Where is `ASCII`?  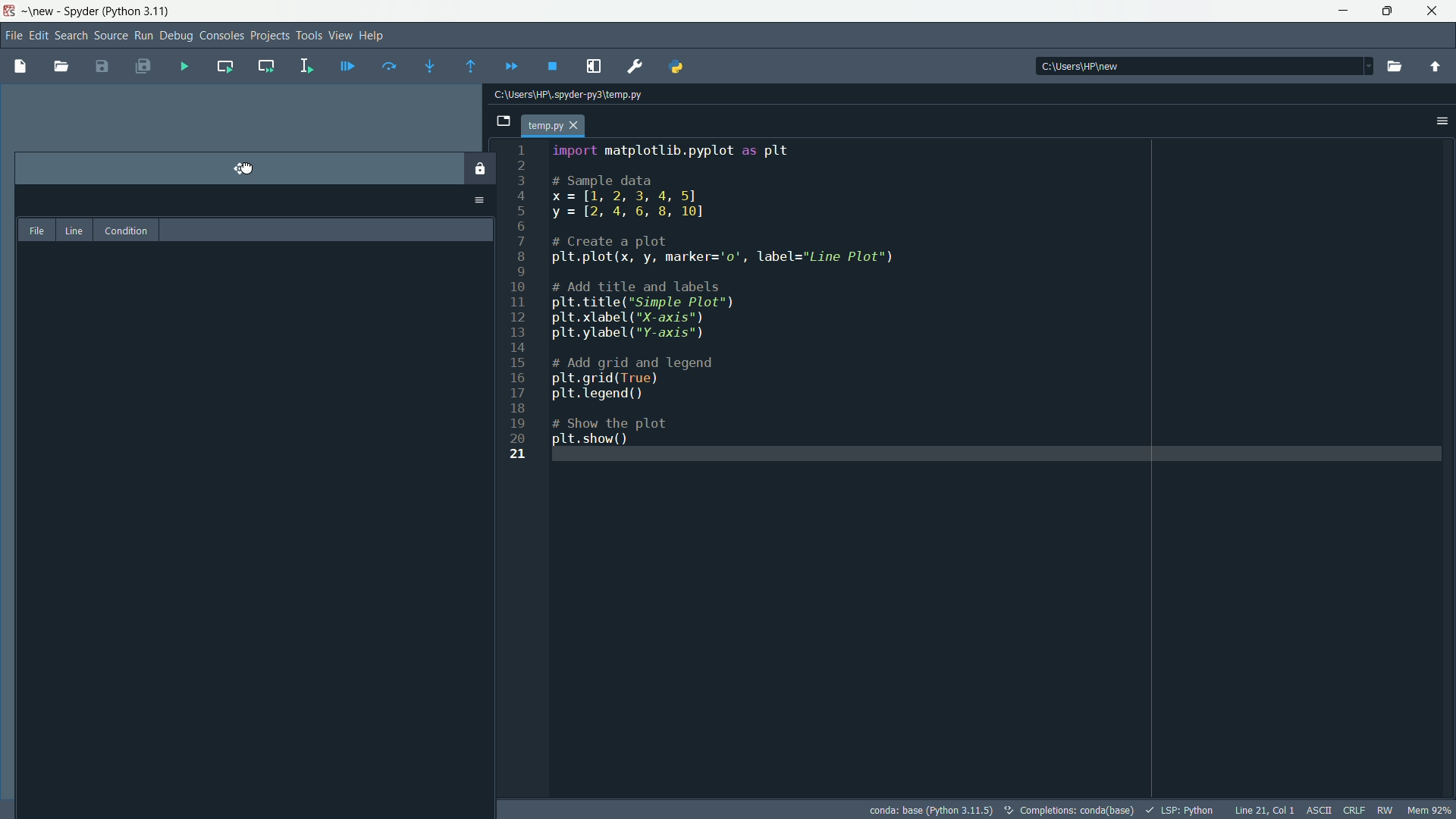
ASCII is located at coordinates (1317, 811).